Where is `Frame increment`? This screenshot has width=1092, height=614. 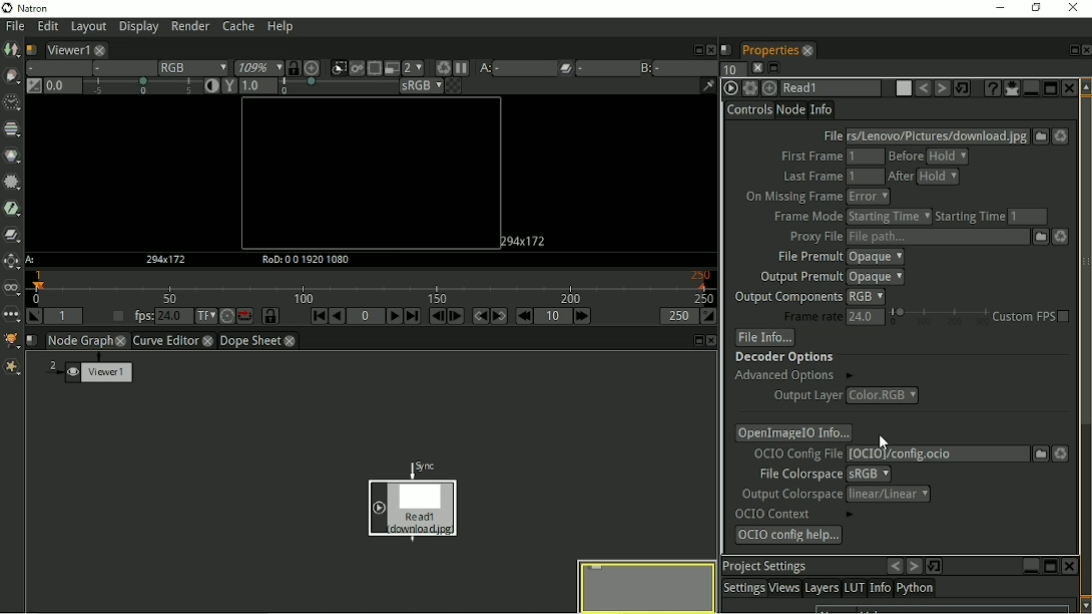 Frame increment is located at coordinates (553, 317).